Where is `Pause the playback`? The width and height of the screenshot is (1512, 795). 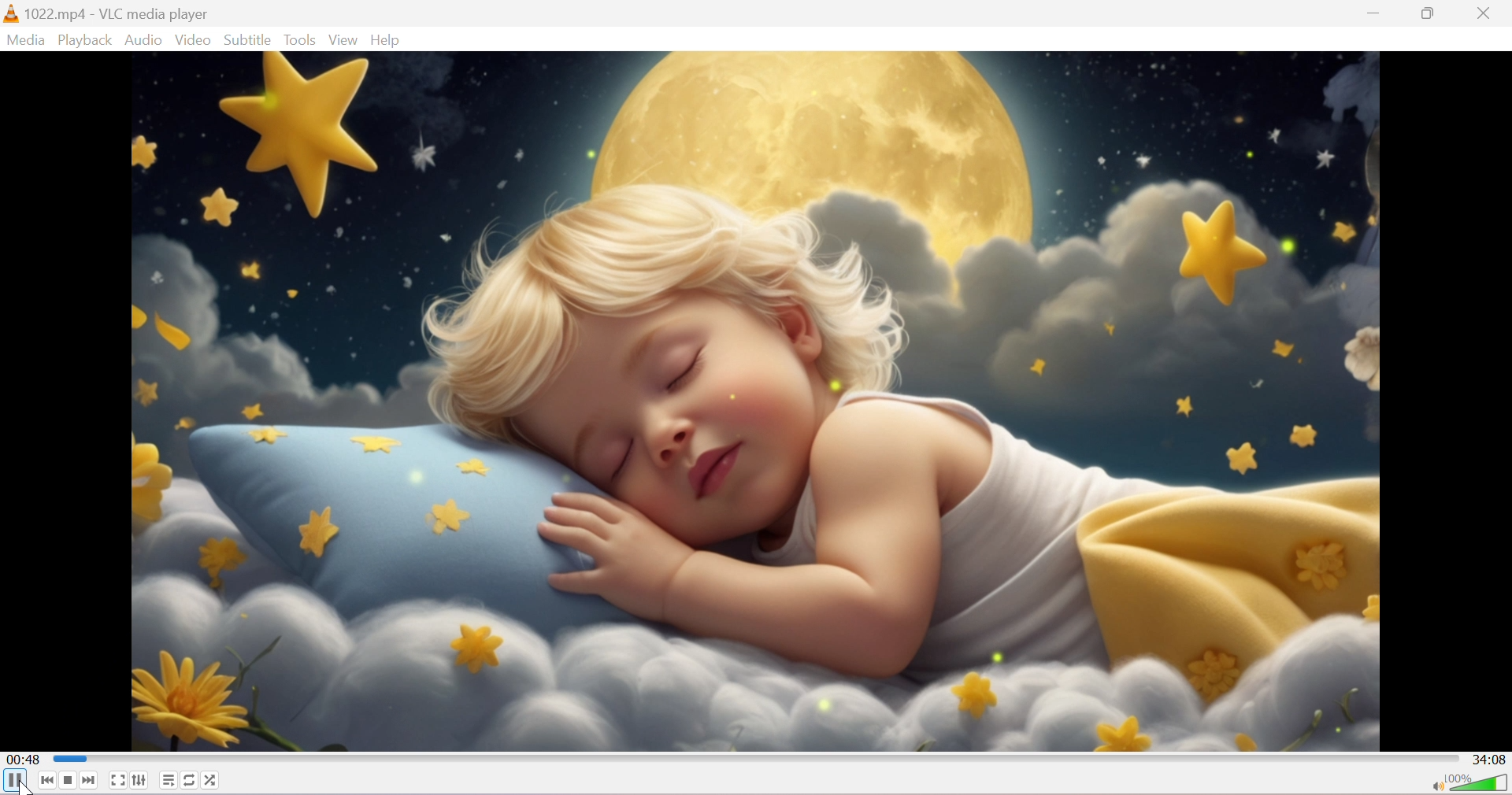 Pause the playback is located at coordinates (14, 782).